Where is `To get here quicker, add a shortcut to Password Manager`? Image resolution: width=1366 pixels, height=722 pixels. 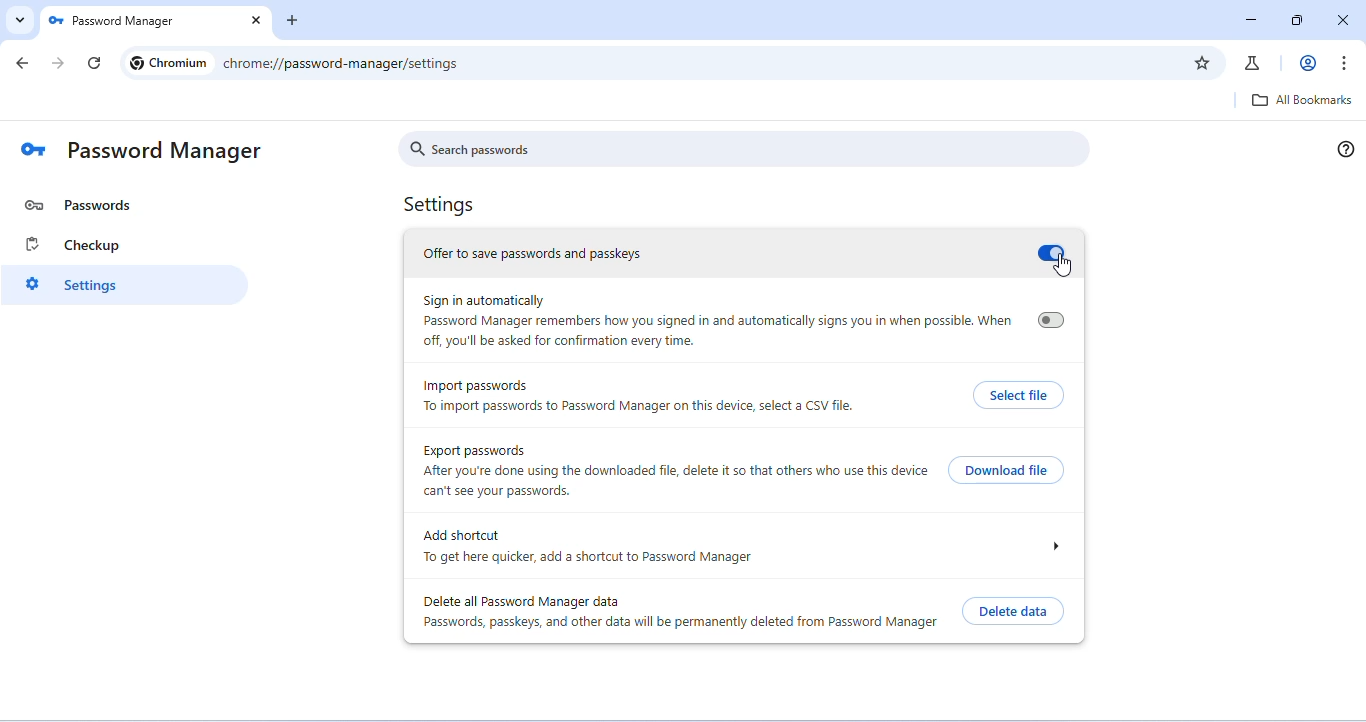 To get here quicker, add a shortcut to Password Manager is located at coordinates (586, 556).